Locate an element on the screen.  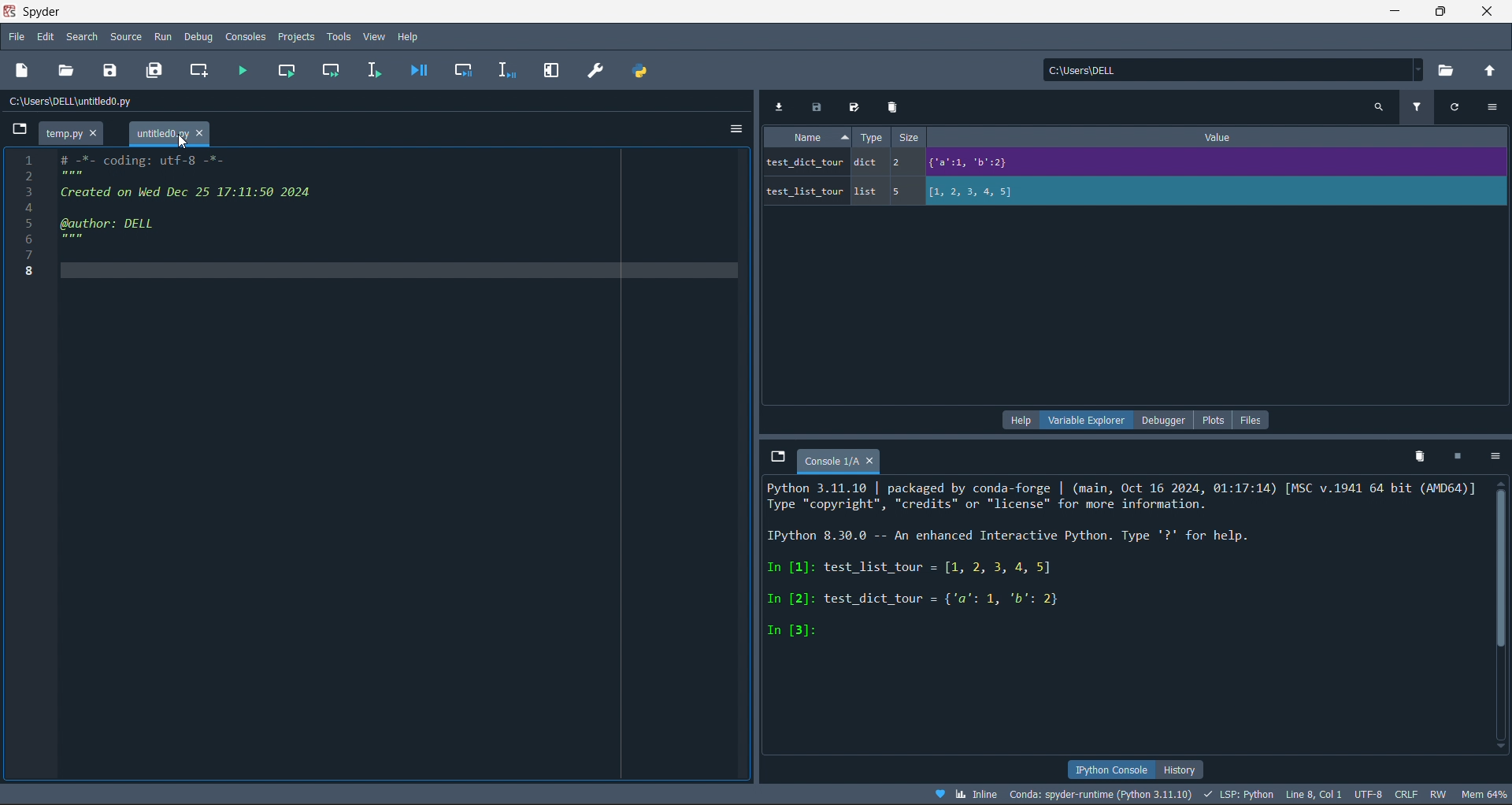
Size is located at coordinates (906, 137).